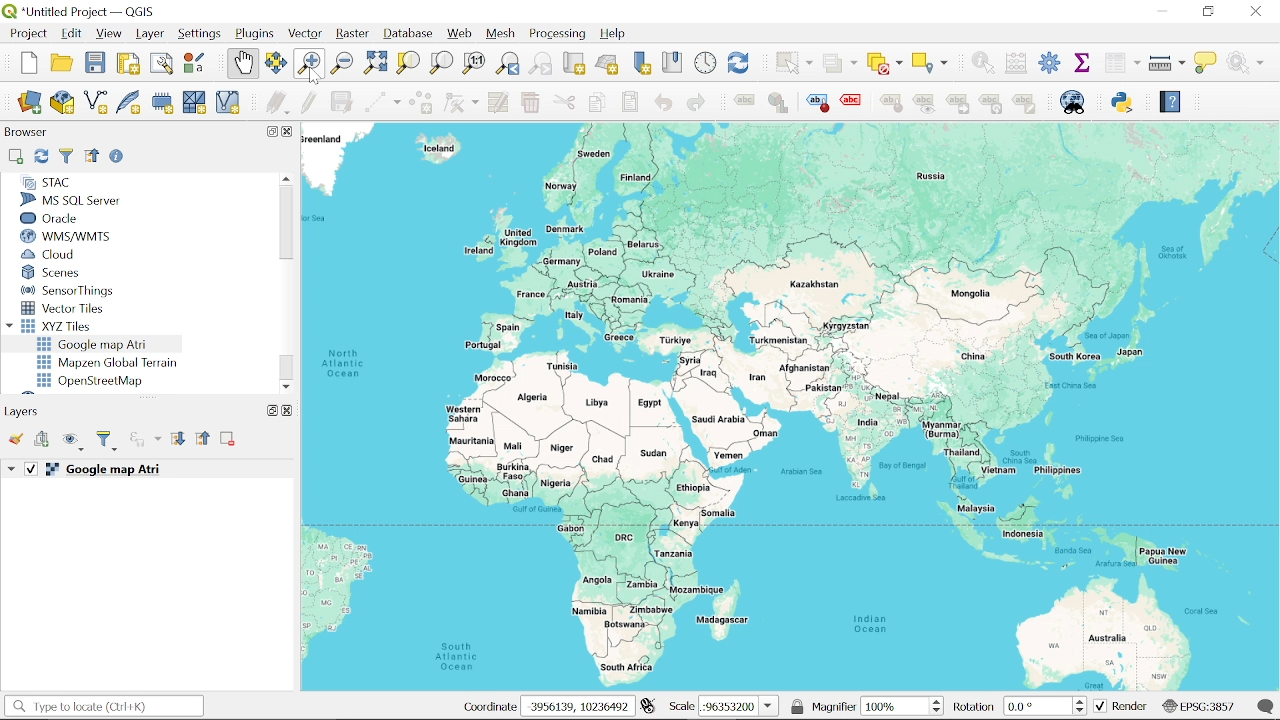 The image size is (1280, 720). Describe the element at coordinates (409, 35) in the screenshot. I see `Database` at that location.